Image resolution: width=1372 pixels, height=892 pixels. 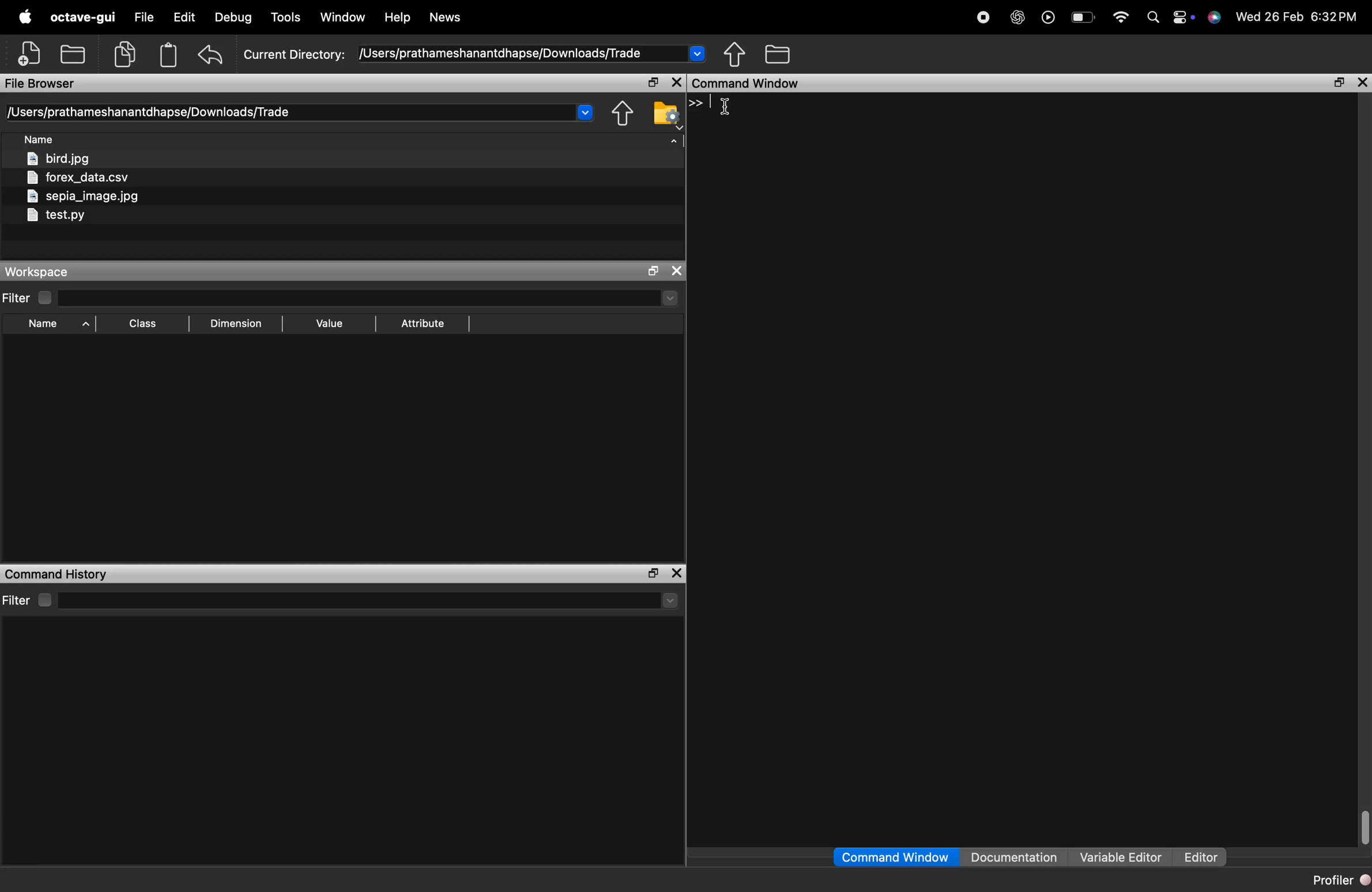 I want to click on play, so click(x=1047, y=17).